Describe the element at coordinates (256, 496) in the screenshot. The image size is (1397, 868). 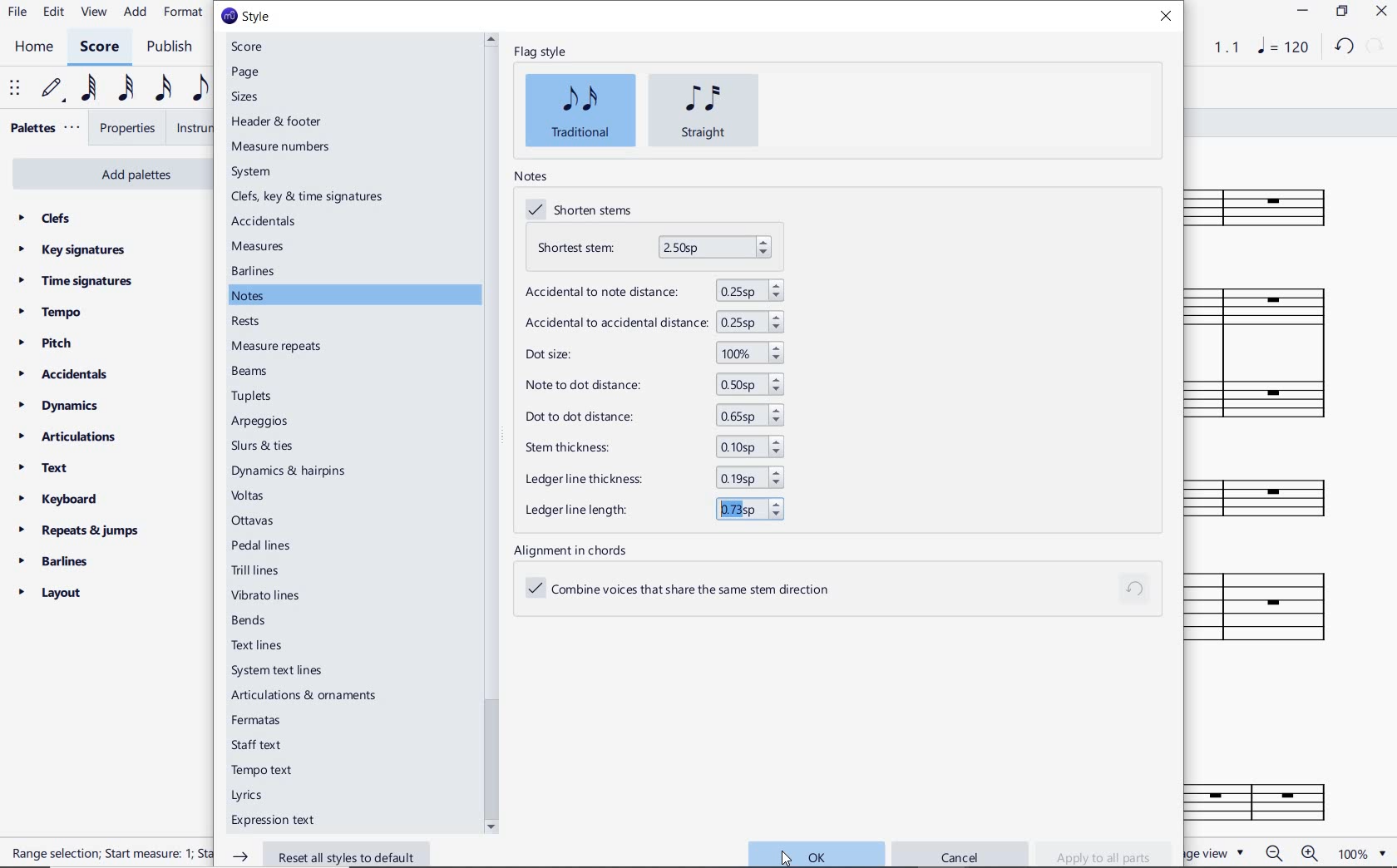
I see `voltas` at that location.